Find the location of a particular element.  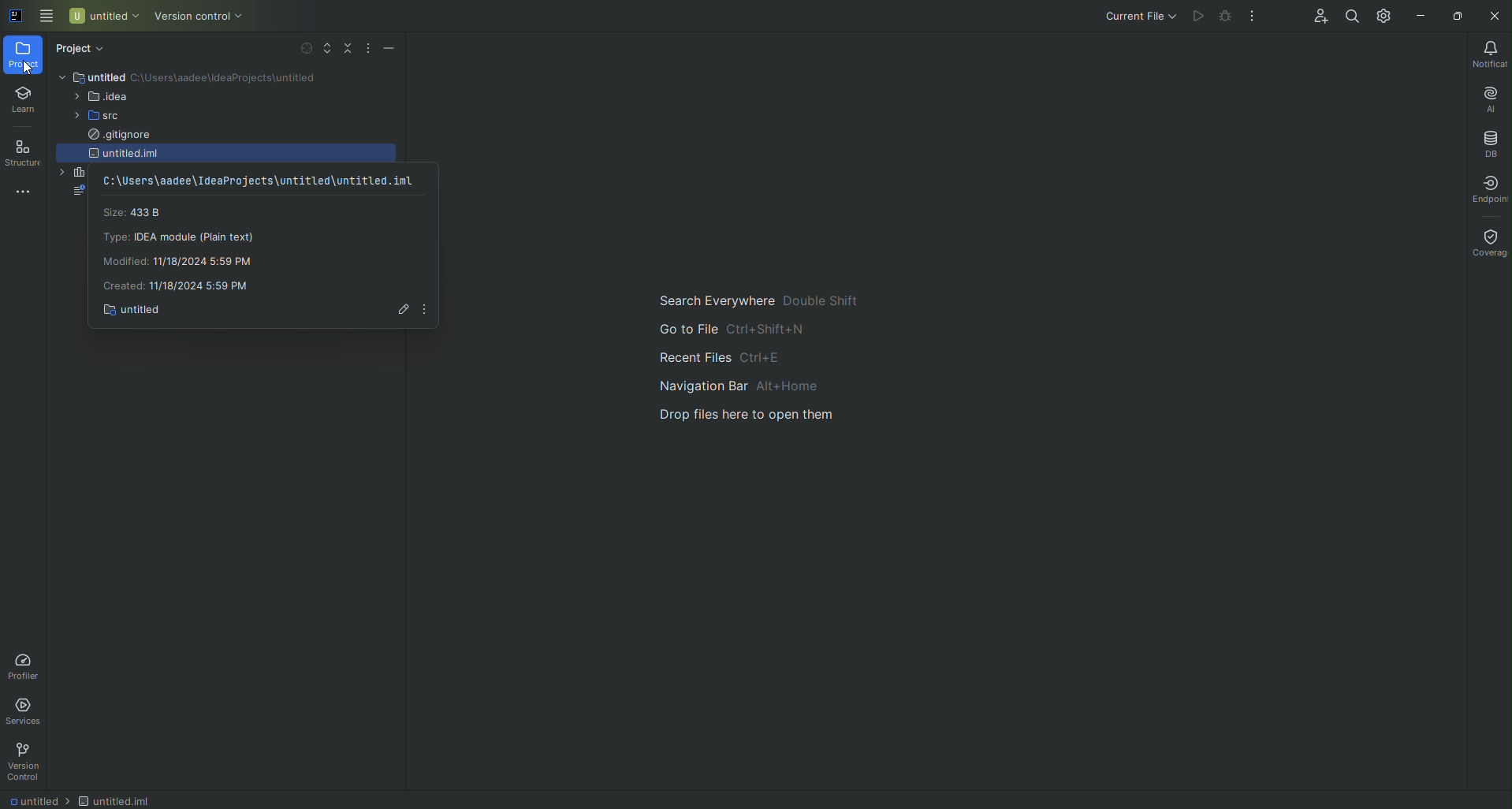

More Actions is located at coordinates (1256, 13).